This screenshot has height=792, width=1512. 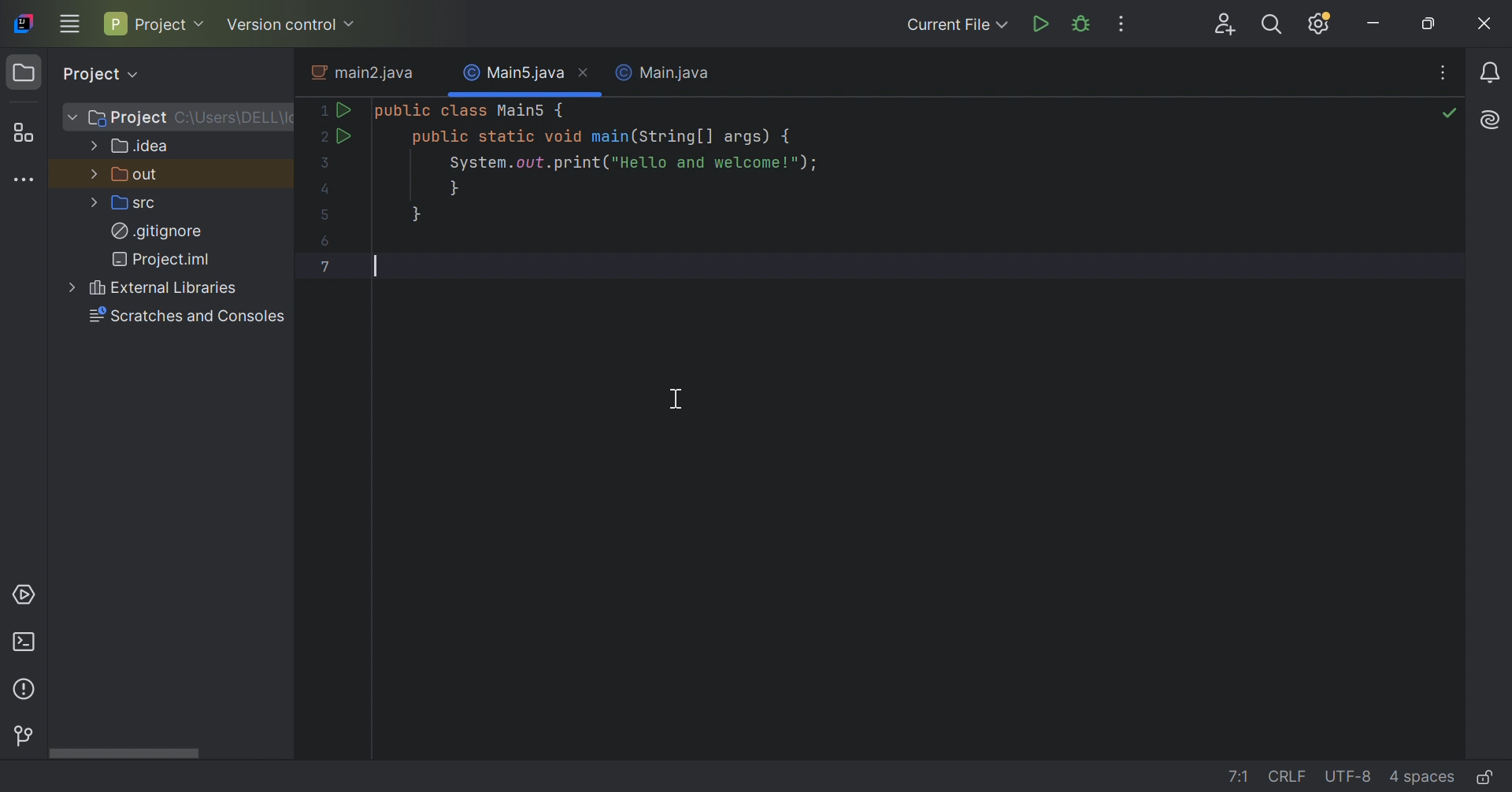 What do you see at coordinates (1290, 775) in the screenshot?
I see `CRLF` at bounding box center [1290, 775].